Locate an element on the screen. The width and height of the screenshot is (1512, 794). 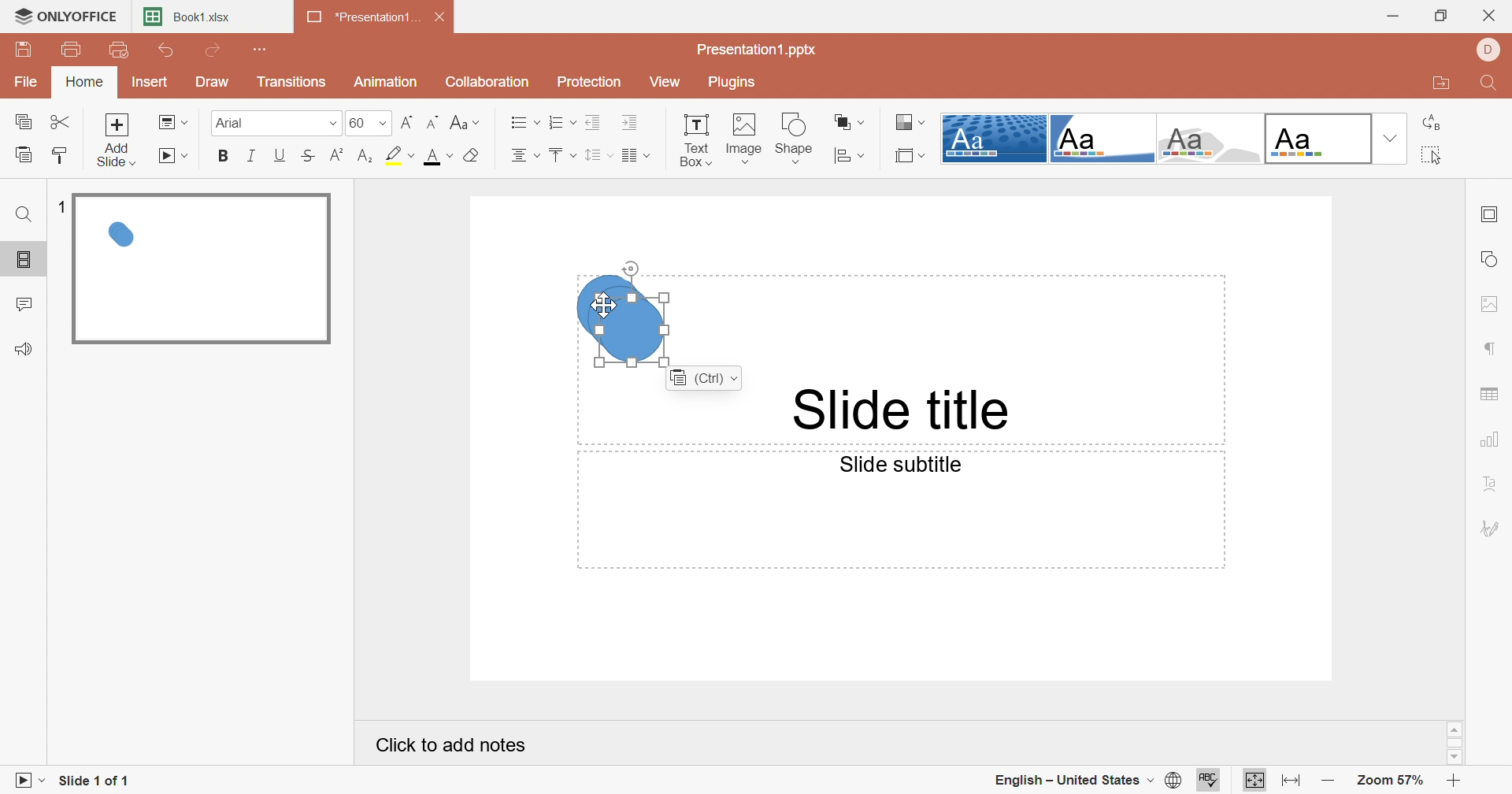
Spell checking is located at coordinates (1210, 781).